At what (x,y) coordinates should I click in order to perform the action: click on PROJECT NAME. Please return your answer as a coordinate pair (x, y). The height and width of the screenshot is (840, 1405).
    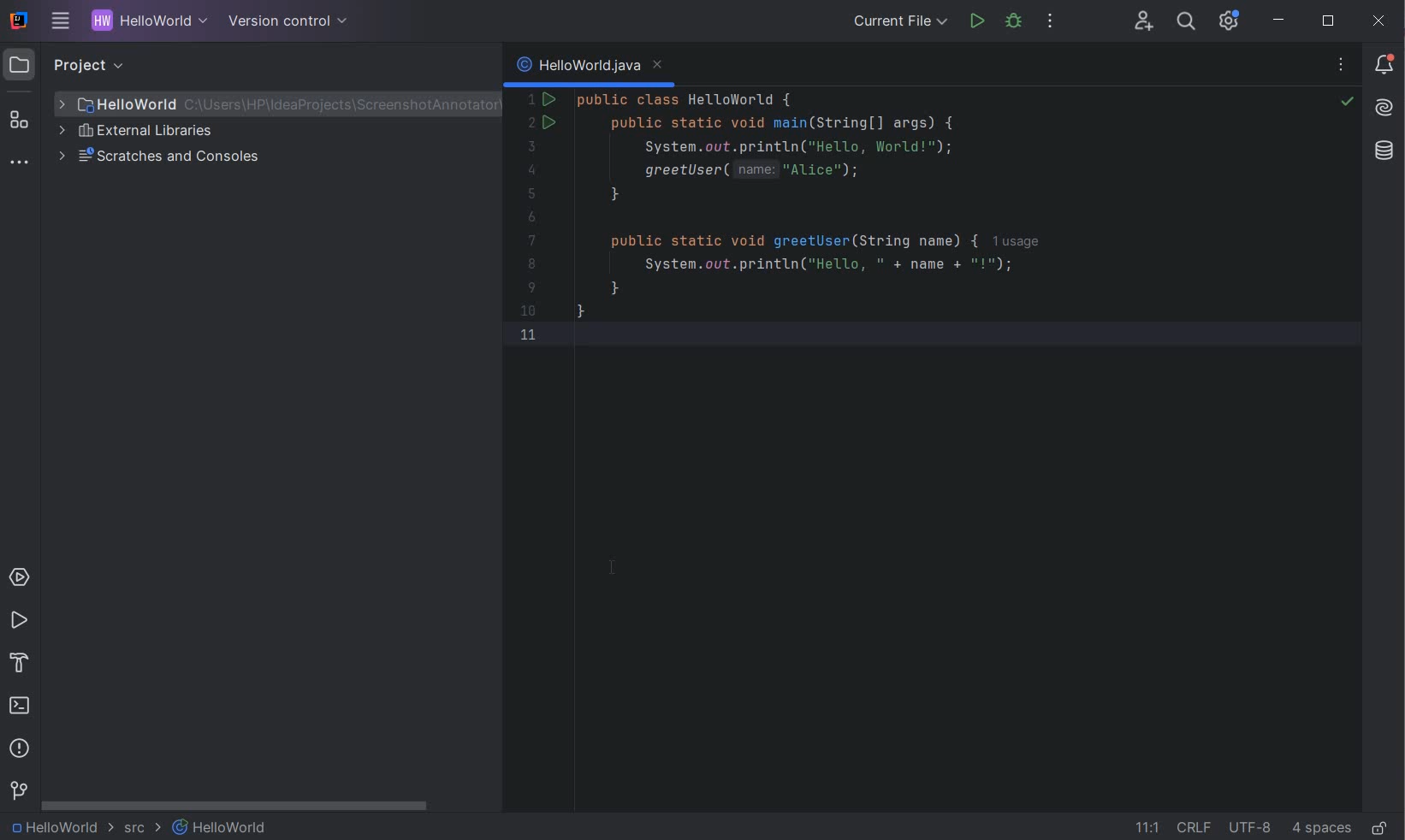
    Looking at the image, I should click on (145, 22).